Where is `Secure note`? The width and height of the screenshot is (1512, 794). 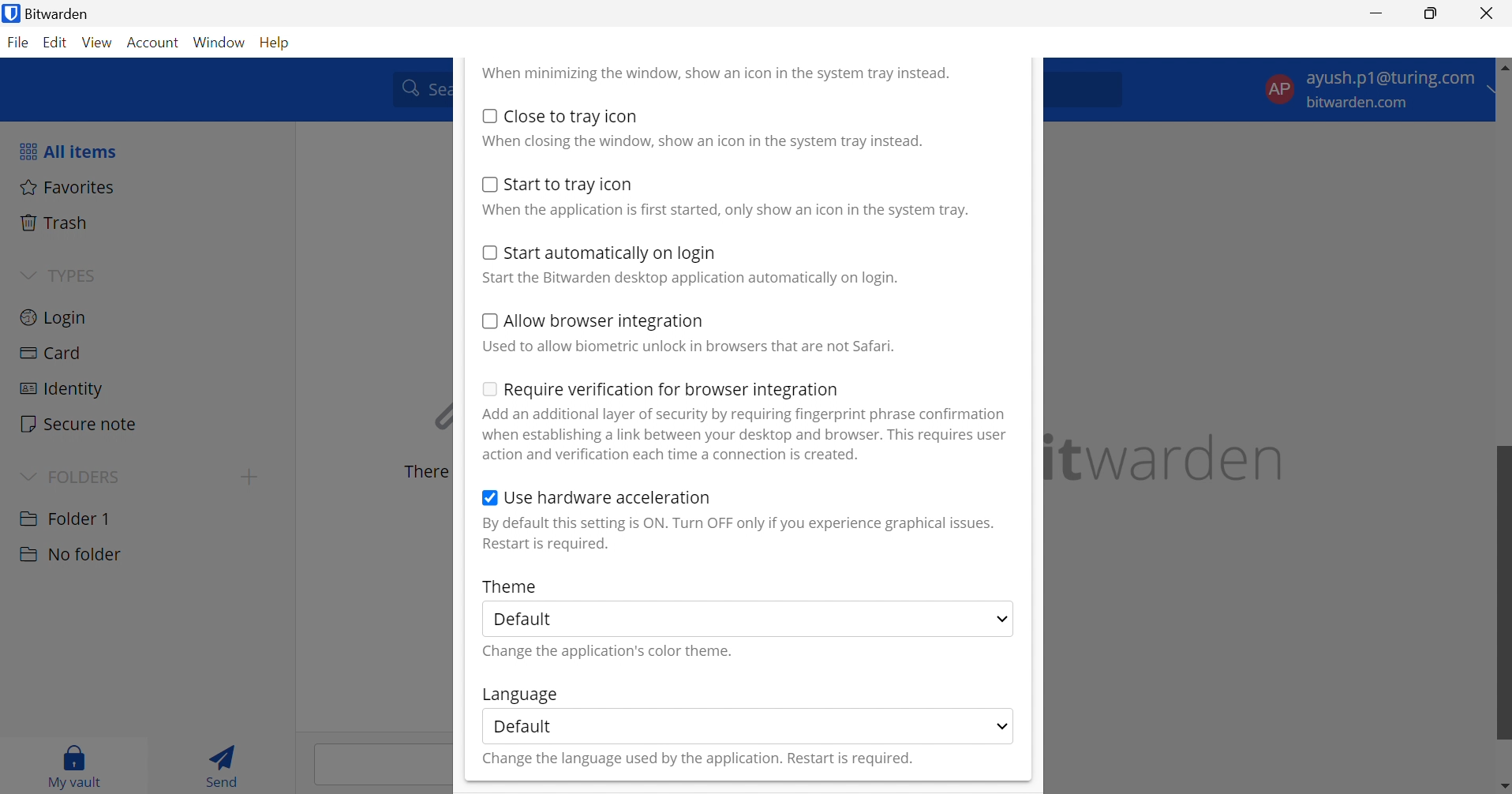 Secure note is located at coordinates (80, 425).